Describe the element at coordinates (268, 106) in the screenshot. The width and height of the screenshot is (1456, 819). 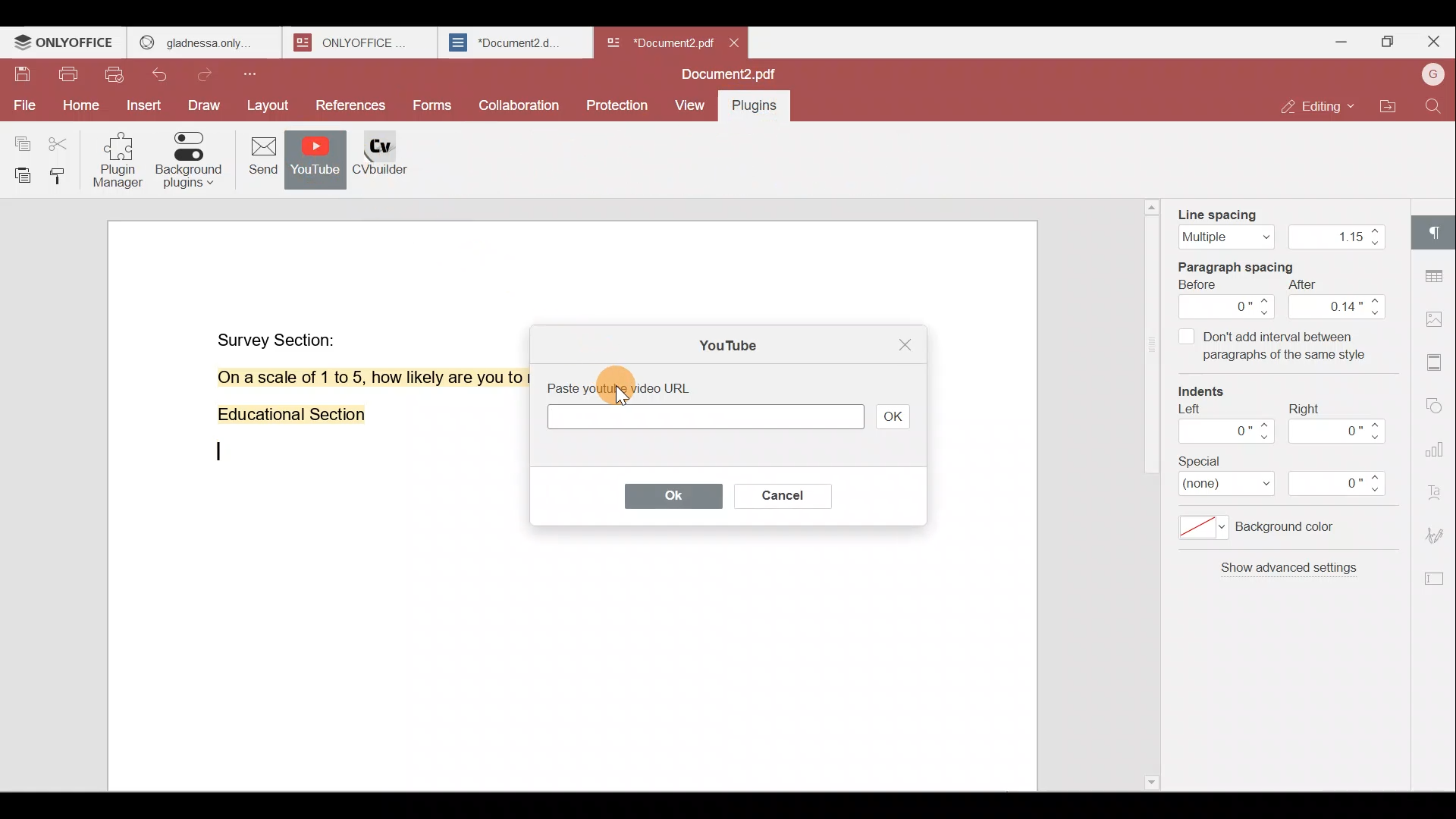
I see `Layout` at that location.